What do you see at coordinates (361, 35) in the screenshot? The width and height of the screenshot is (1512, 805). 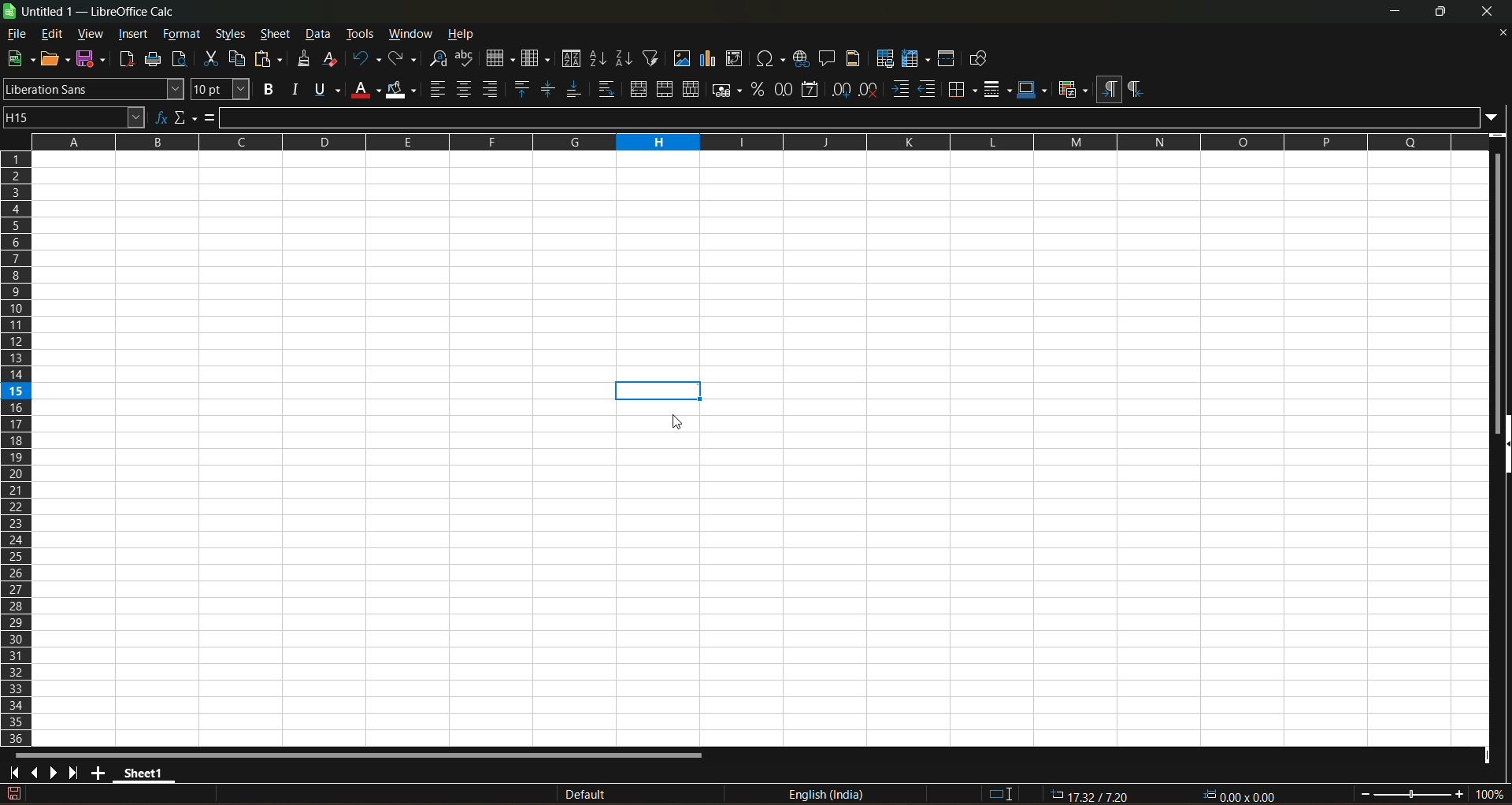 I see `tools` at bounding box center [361, 35].